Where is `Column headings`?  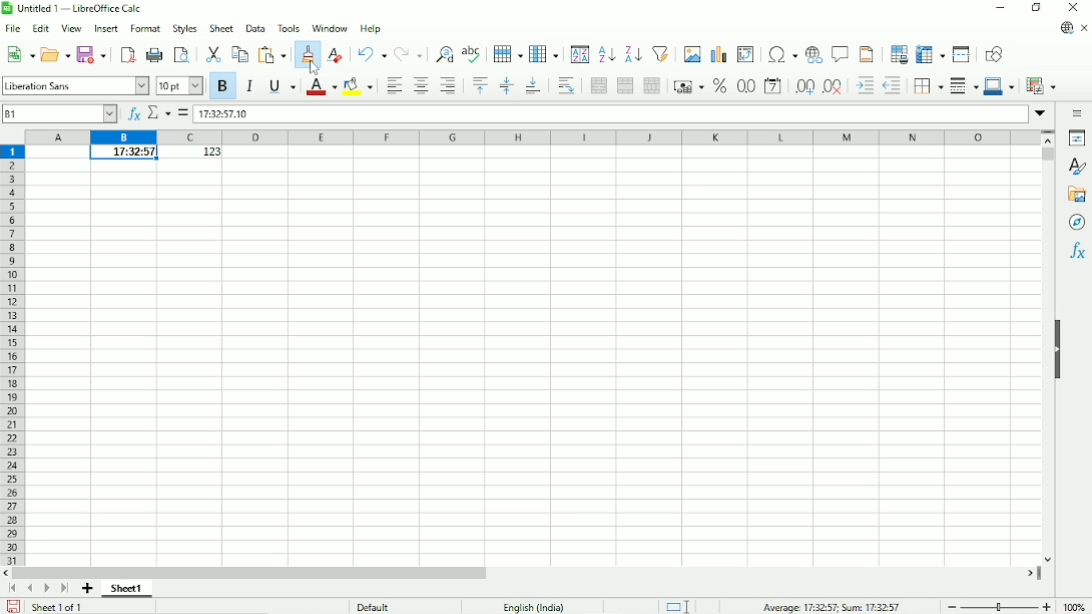
Column headings is located at coordinates (534, 137).